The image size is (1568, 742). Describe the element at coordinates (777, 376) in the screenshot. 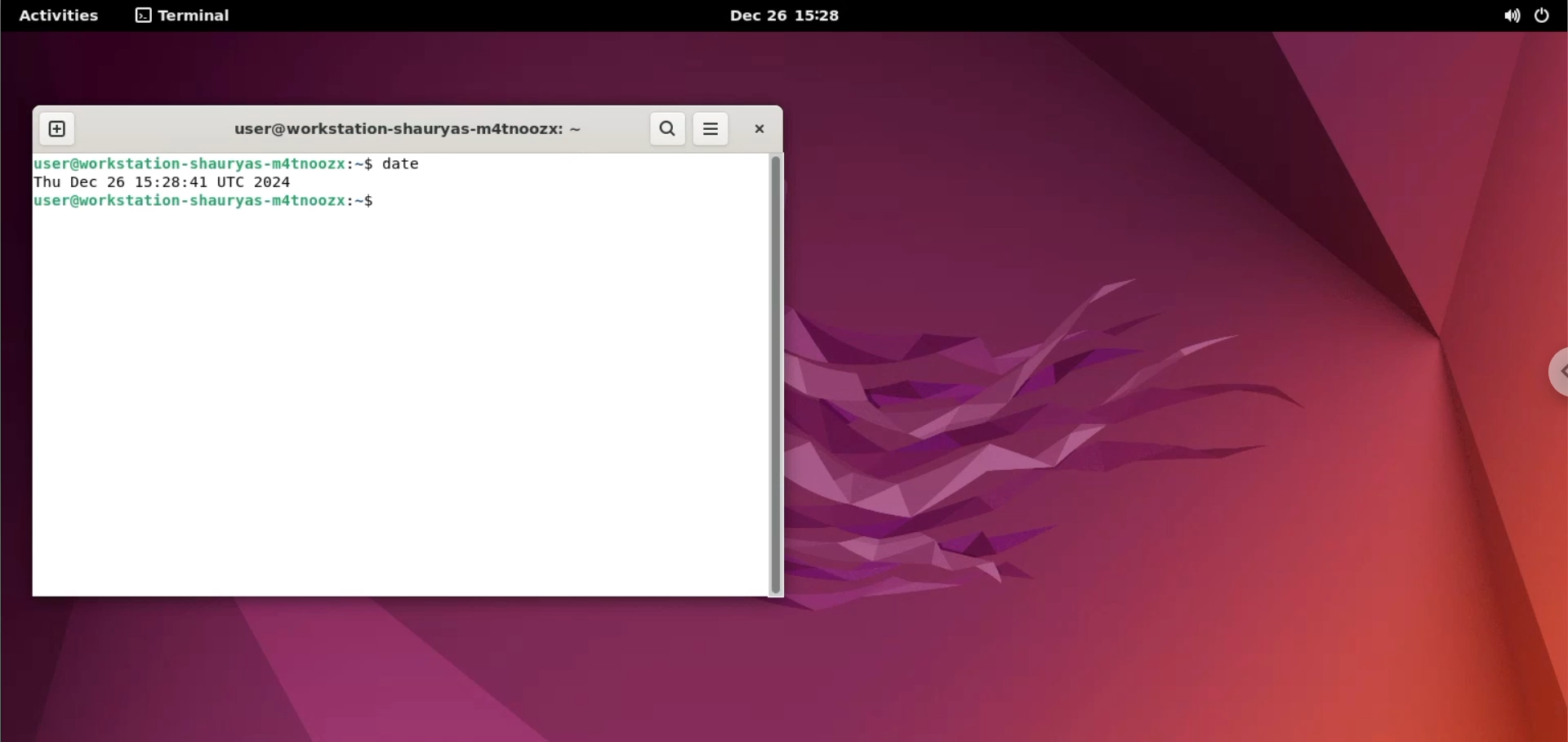

I see `scrollbar` at that location.